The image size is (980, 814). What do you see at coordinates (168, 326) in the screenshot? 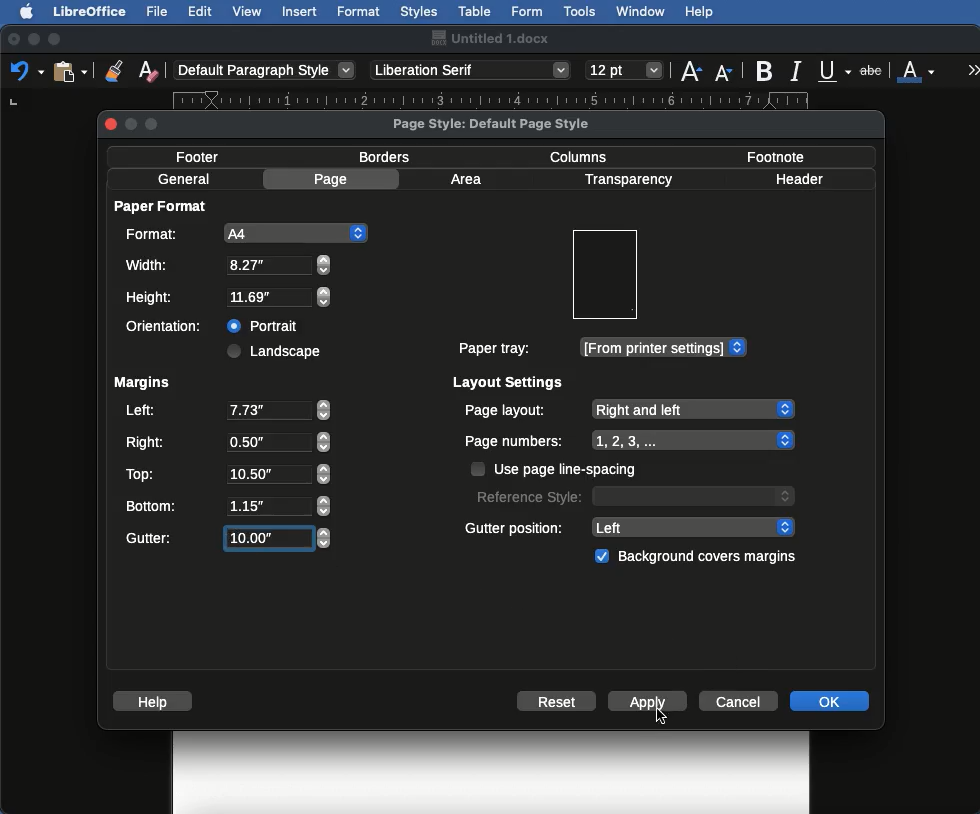
I see `Orientation` at bounding box center [168, 326].